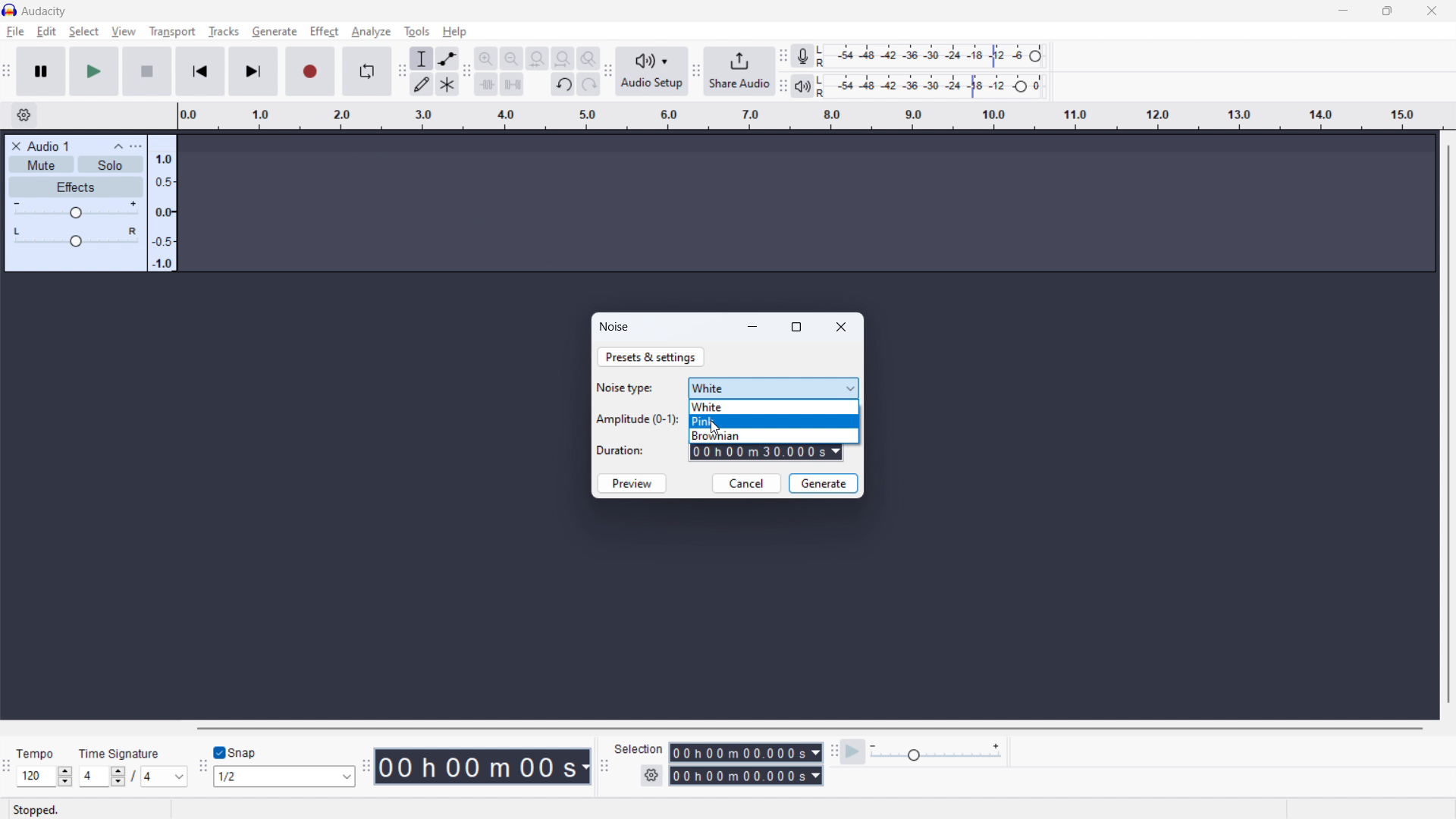 The image size is (1456, 819). Describe the element at coordinates (746, 752) in the screenshot. I see `start time` at that location.